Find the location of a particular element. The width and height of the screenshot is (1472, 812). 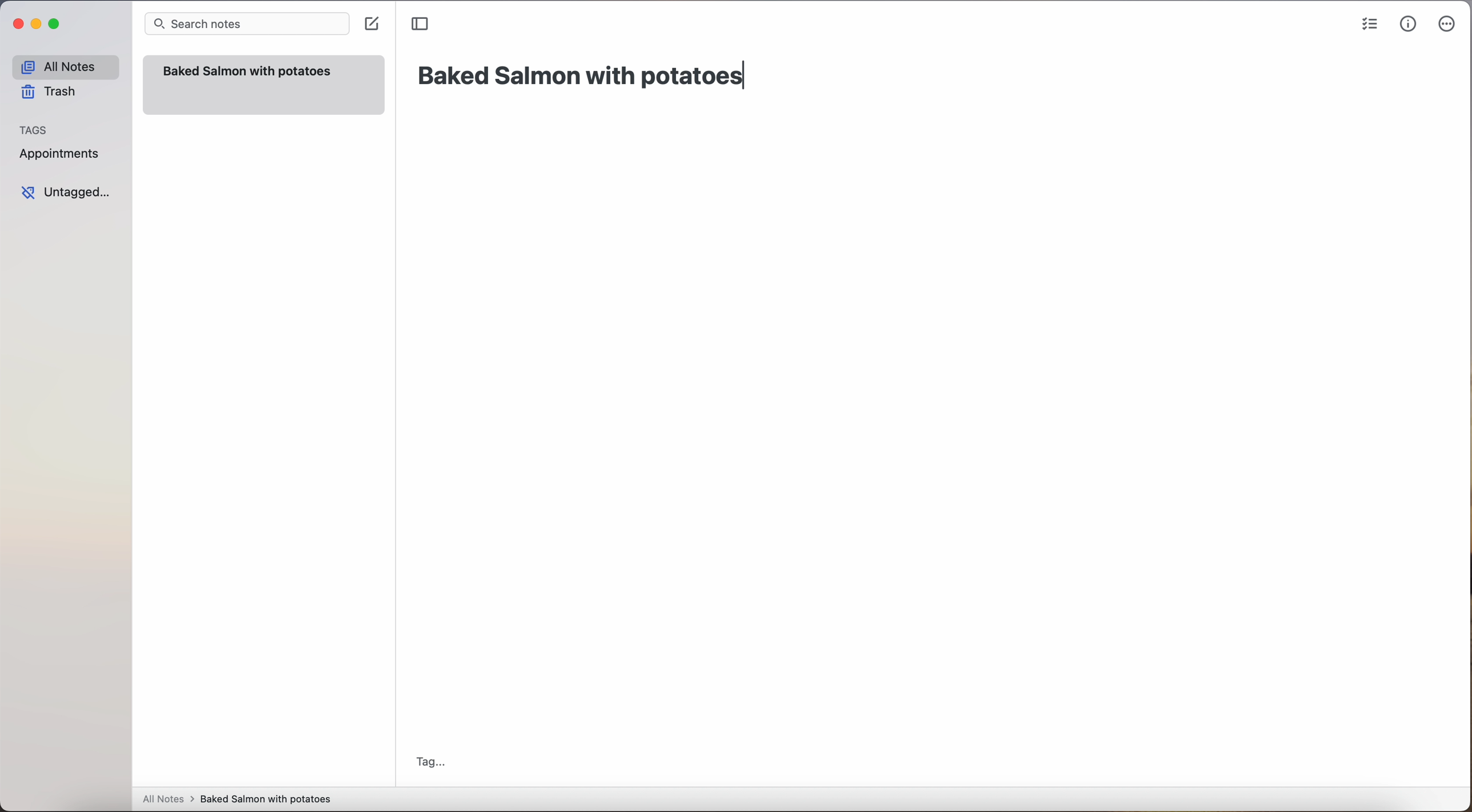

recipe note is located at coordinates (263, 85).